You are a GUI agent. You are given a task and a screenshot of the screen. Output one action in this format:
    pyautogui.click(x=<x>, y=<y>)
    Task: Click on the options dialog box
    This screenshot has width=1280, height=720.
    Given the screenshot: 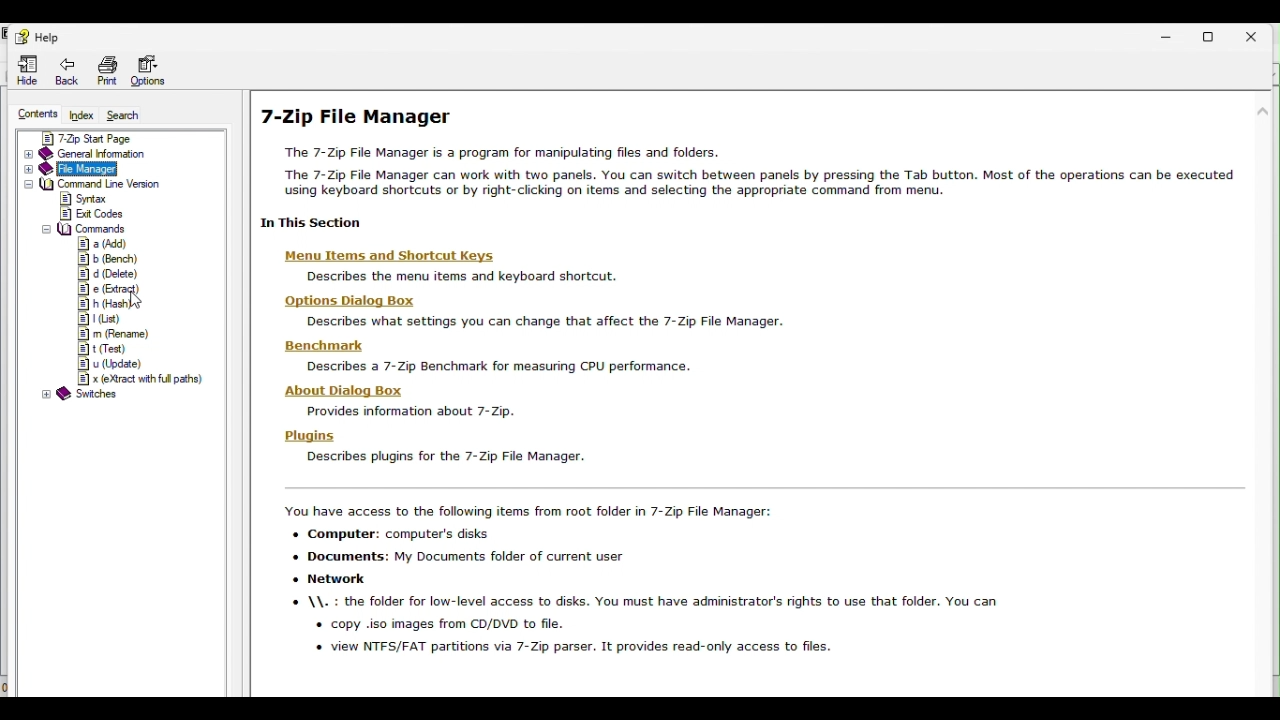 What is the action you would take?
    pyautogui.click(x=531, y=309)
    